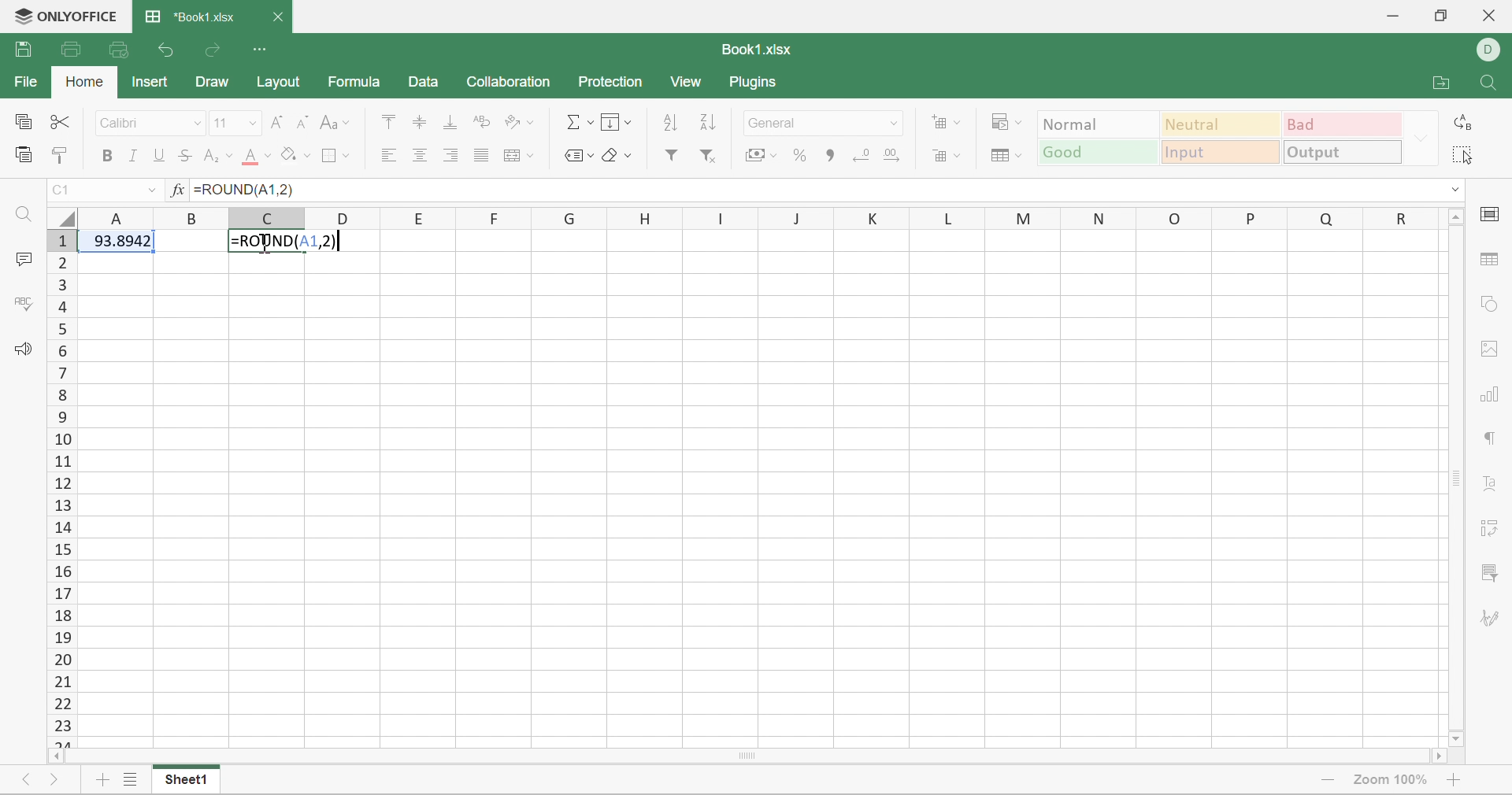 This screenshot has height=795, width=1512. What do you see at coordinates (1492, 438) in the screenshot?
I see `paragraph settings` at bounding box center [1492, 438].